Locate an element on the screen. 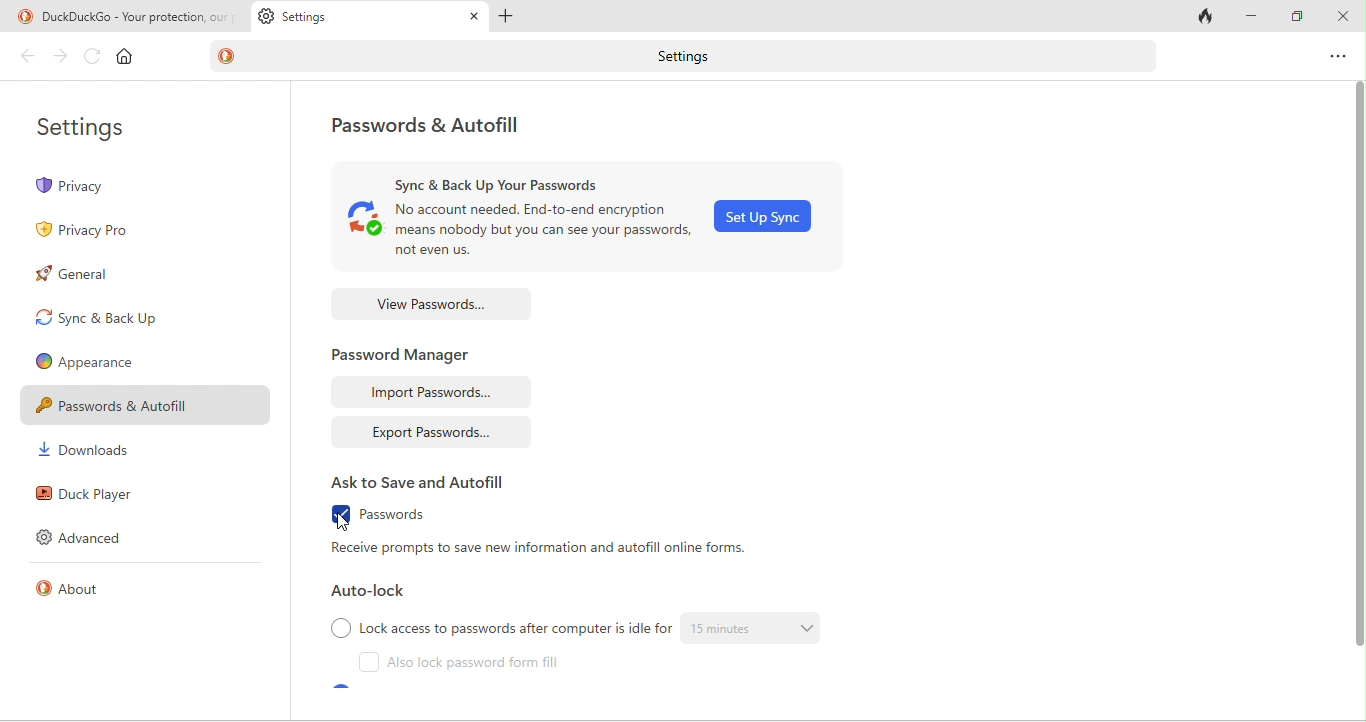 This screenshot has width=1366, height=722. forward is located at coordinates (56, 57).